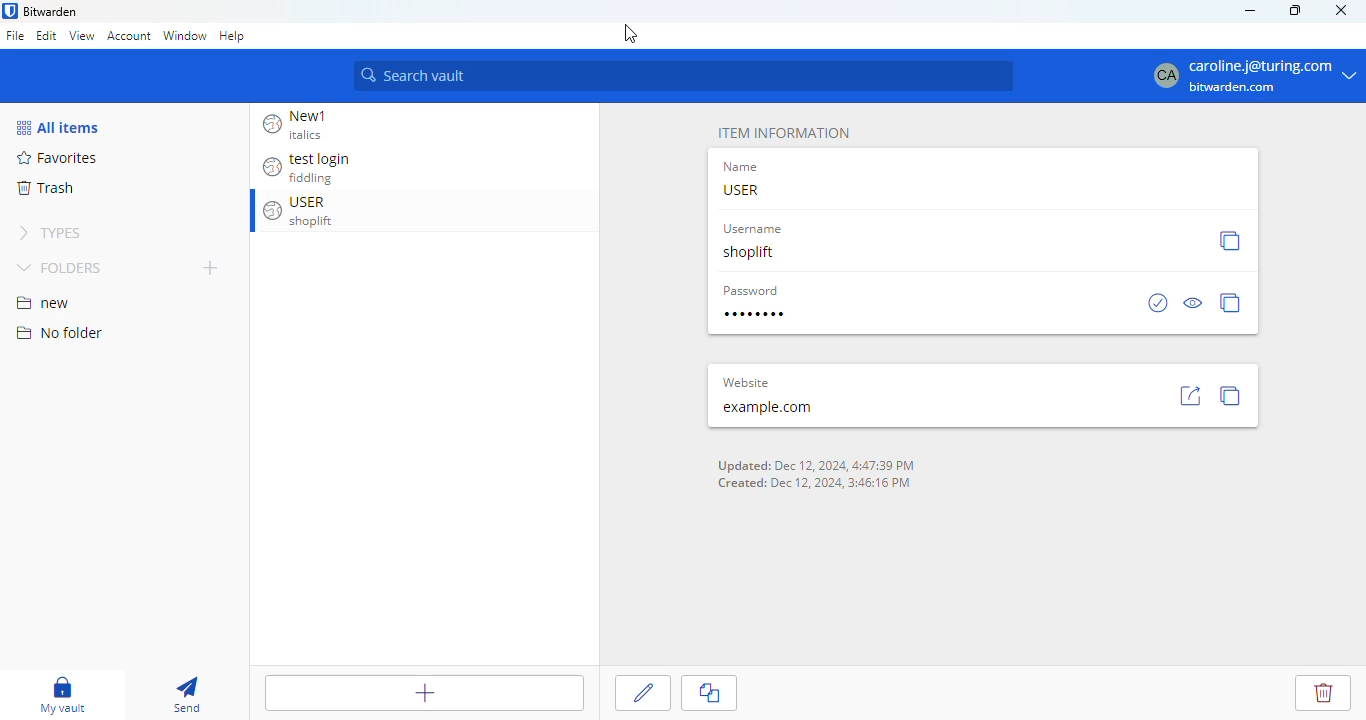  I want to click on logo, so click(10, 11).